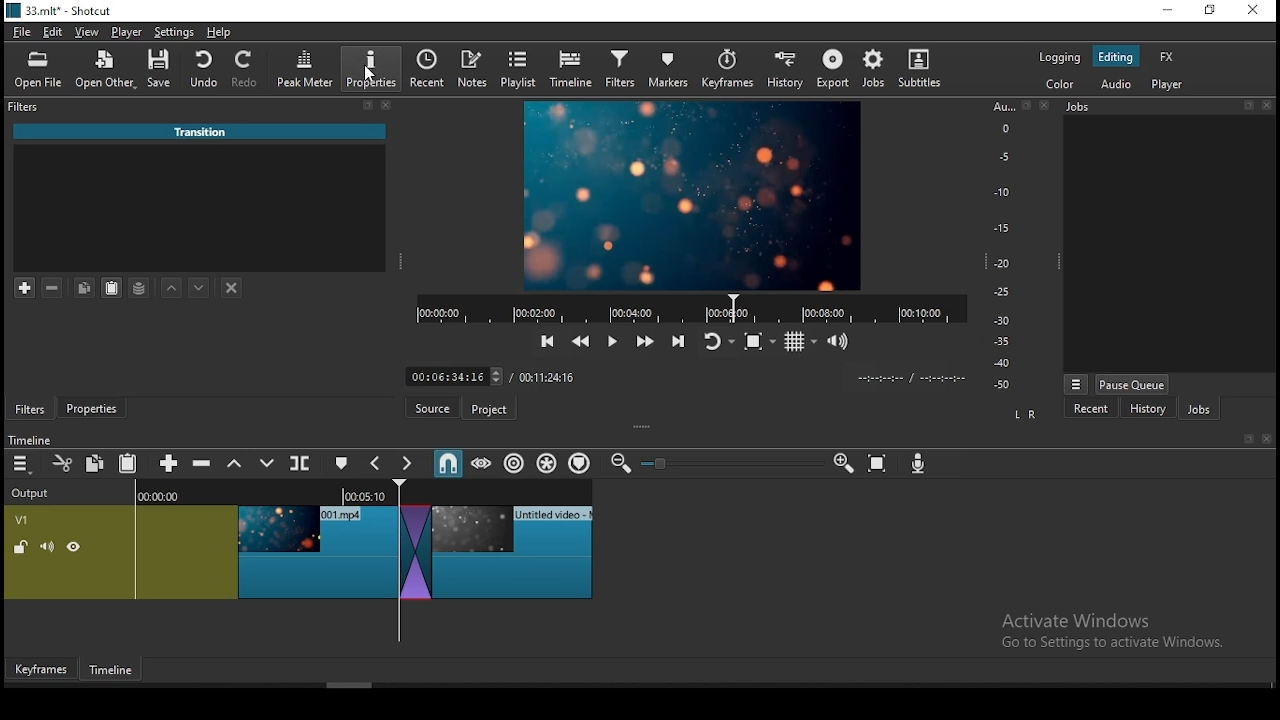  I want to click on redo, so click(248, 72).